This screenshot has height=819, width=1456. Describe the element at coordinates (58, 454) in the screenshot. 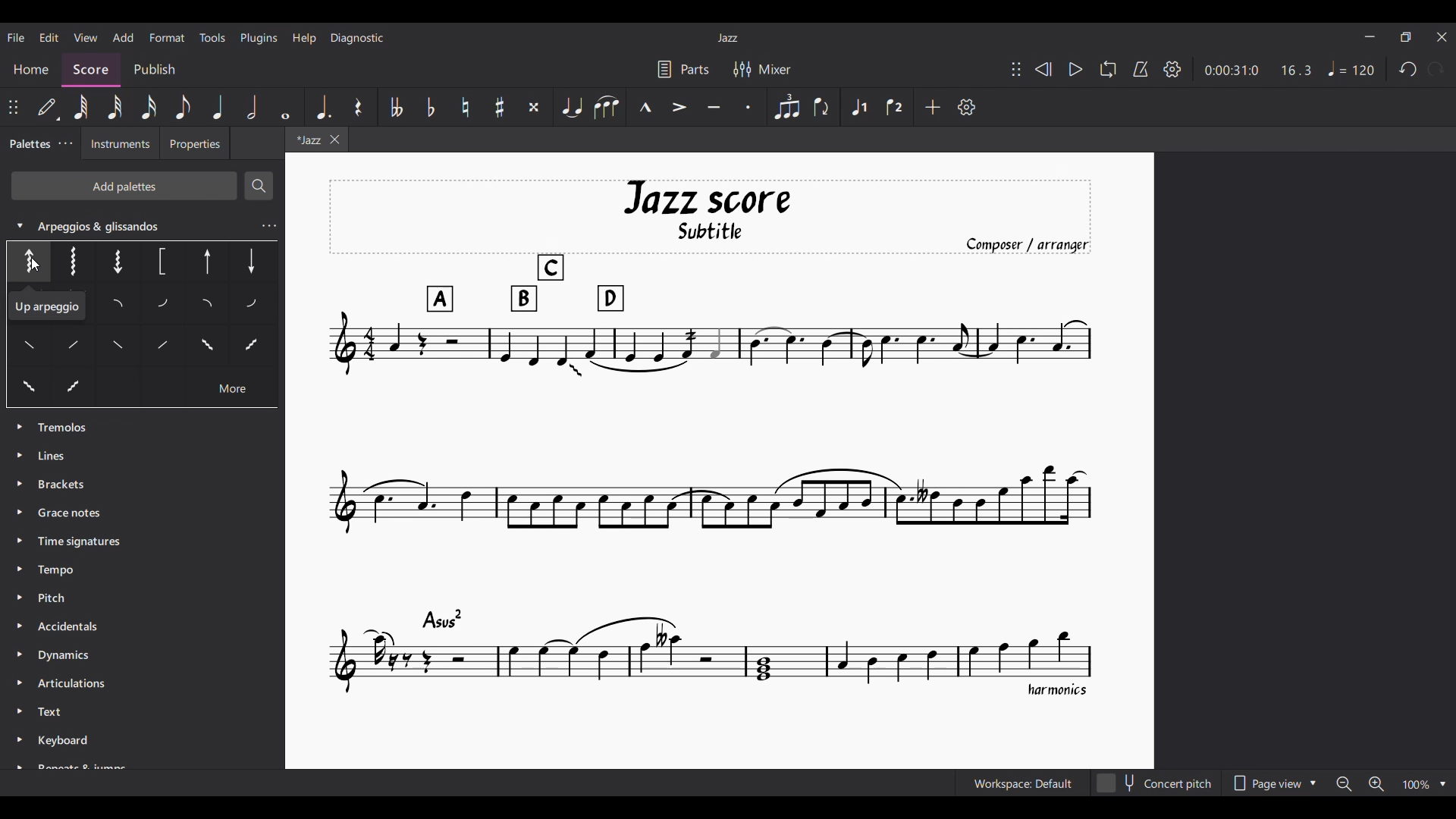

I see `Lines` at that location.